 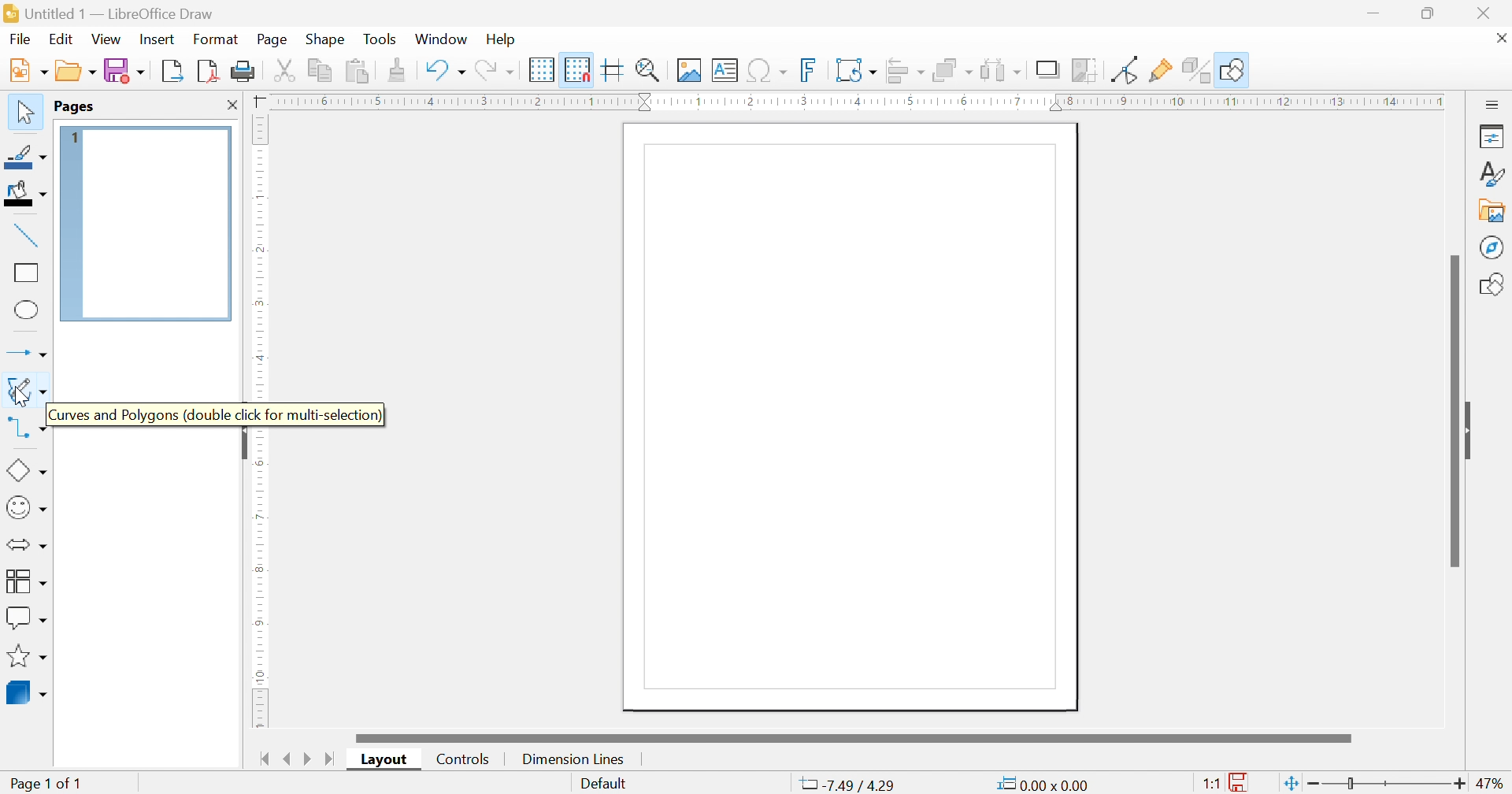 What do you see at coordinates (321, 70) in the screenshot?
I see `copy` at bounding box center [321, 70].